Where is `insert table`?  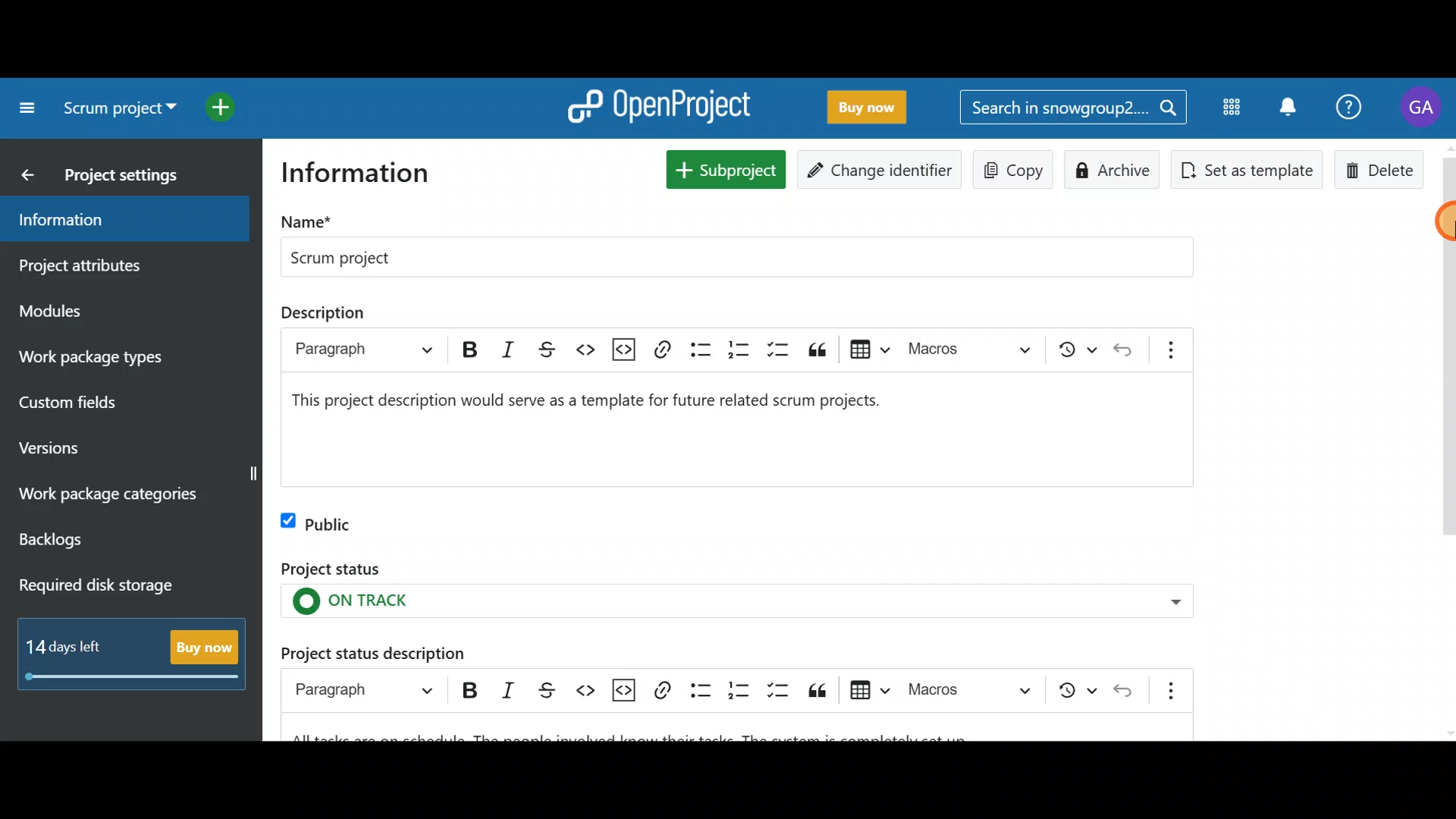 insert table is located at coordinates (871, 349).